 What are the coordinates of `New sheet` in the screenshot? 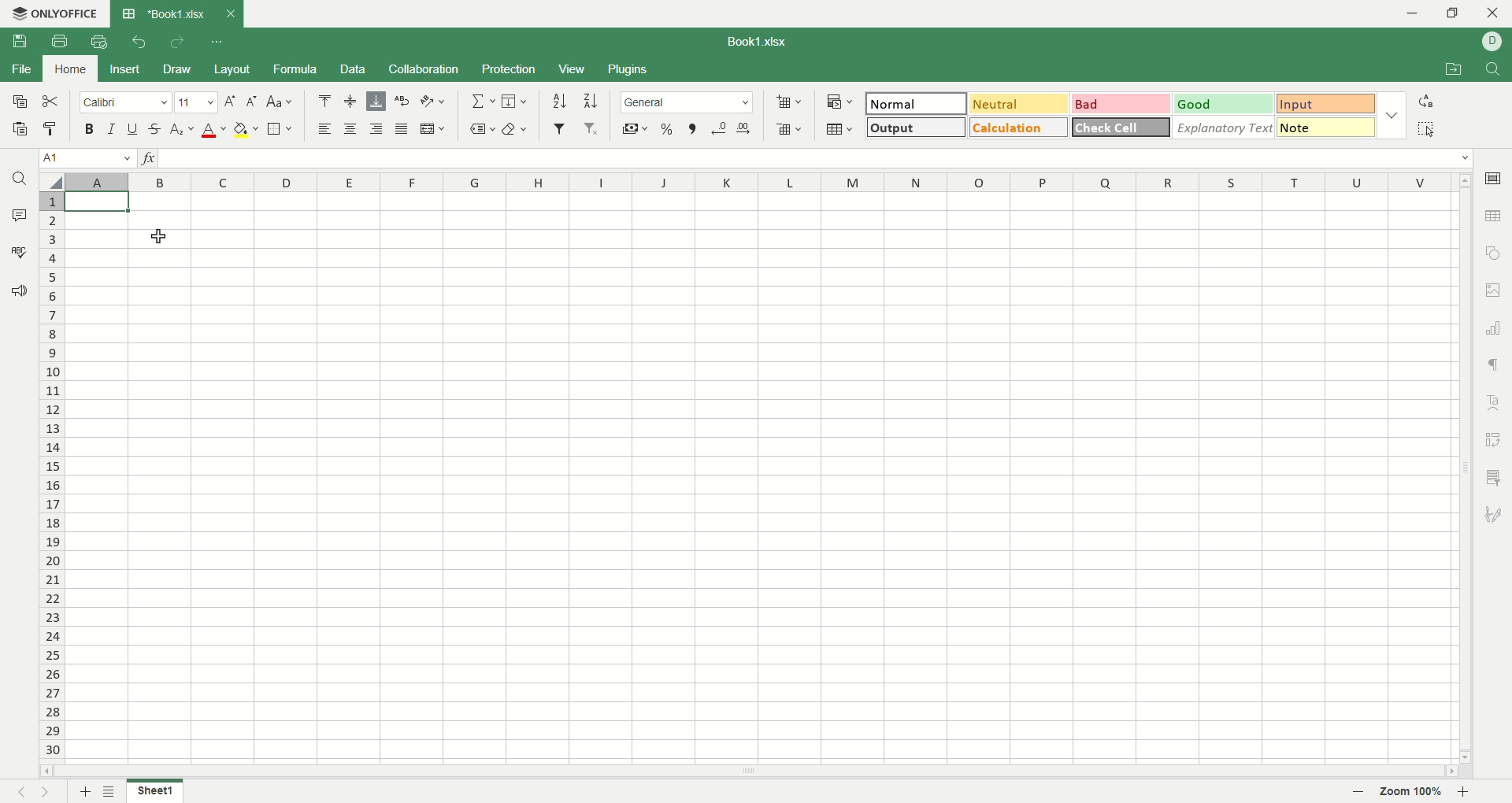 It's located at (86, 790).